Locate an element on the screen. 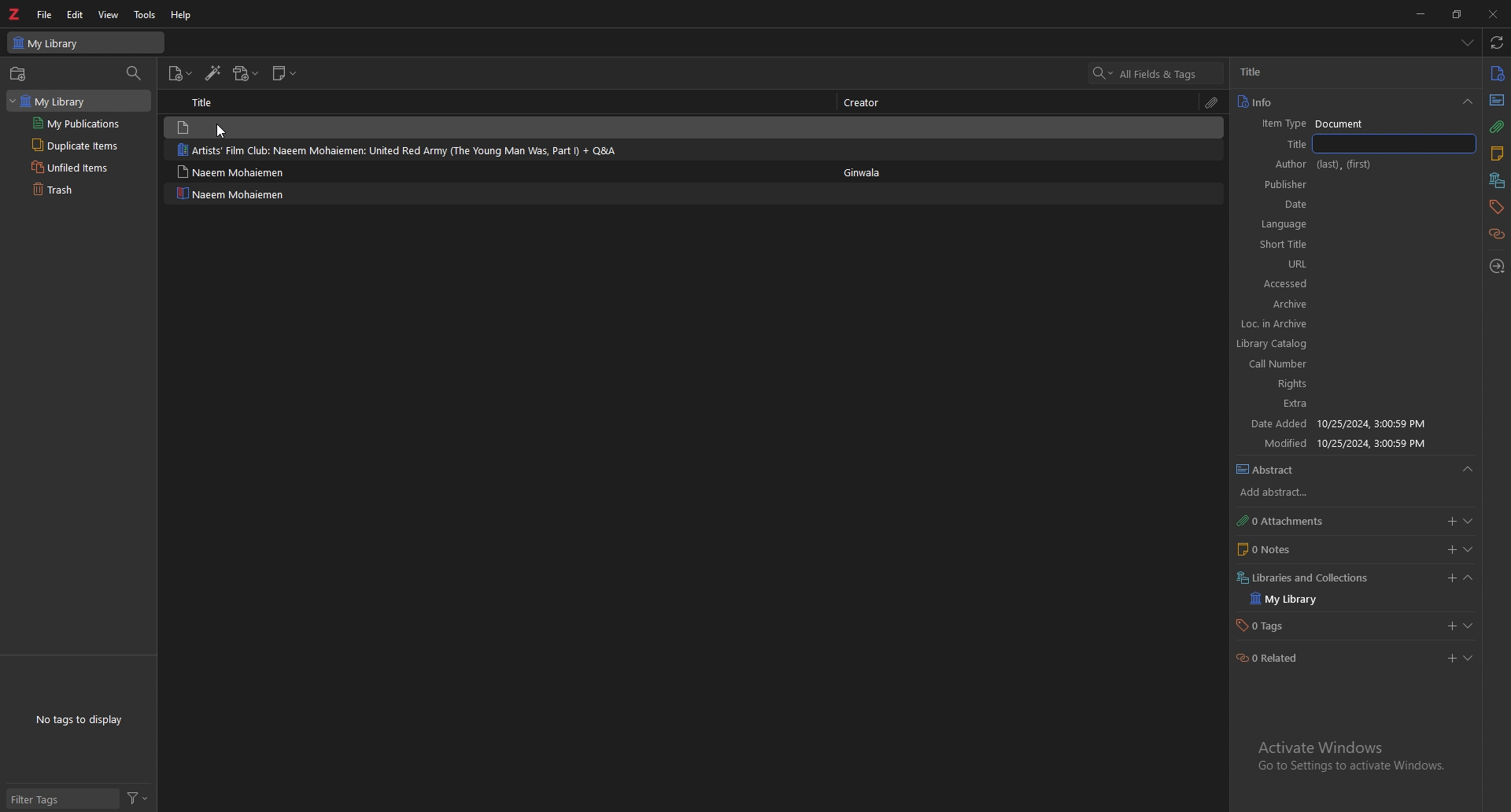 The width and height of the screenshot is (1511, 812). item is located at coordinates (496, 150).